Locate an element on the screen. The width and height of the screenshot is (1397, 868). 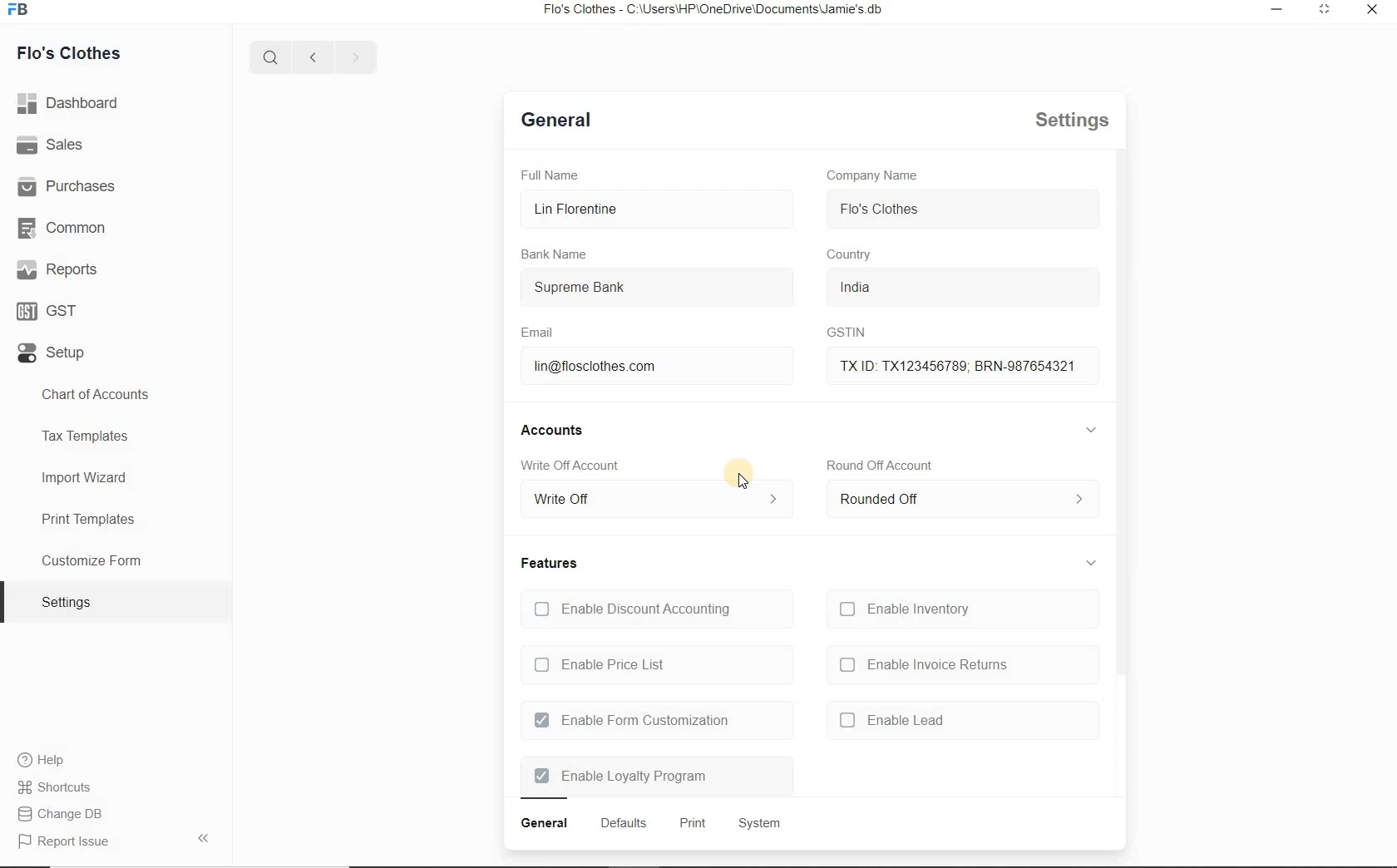
Accounts is located at coordinates (547, 430).